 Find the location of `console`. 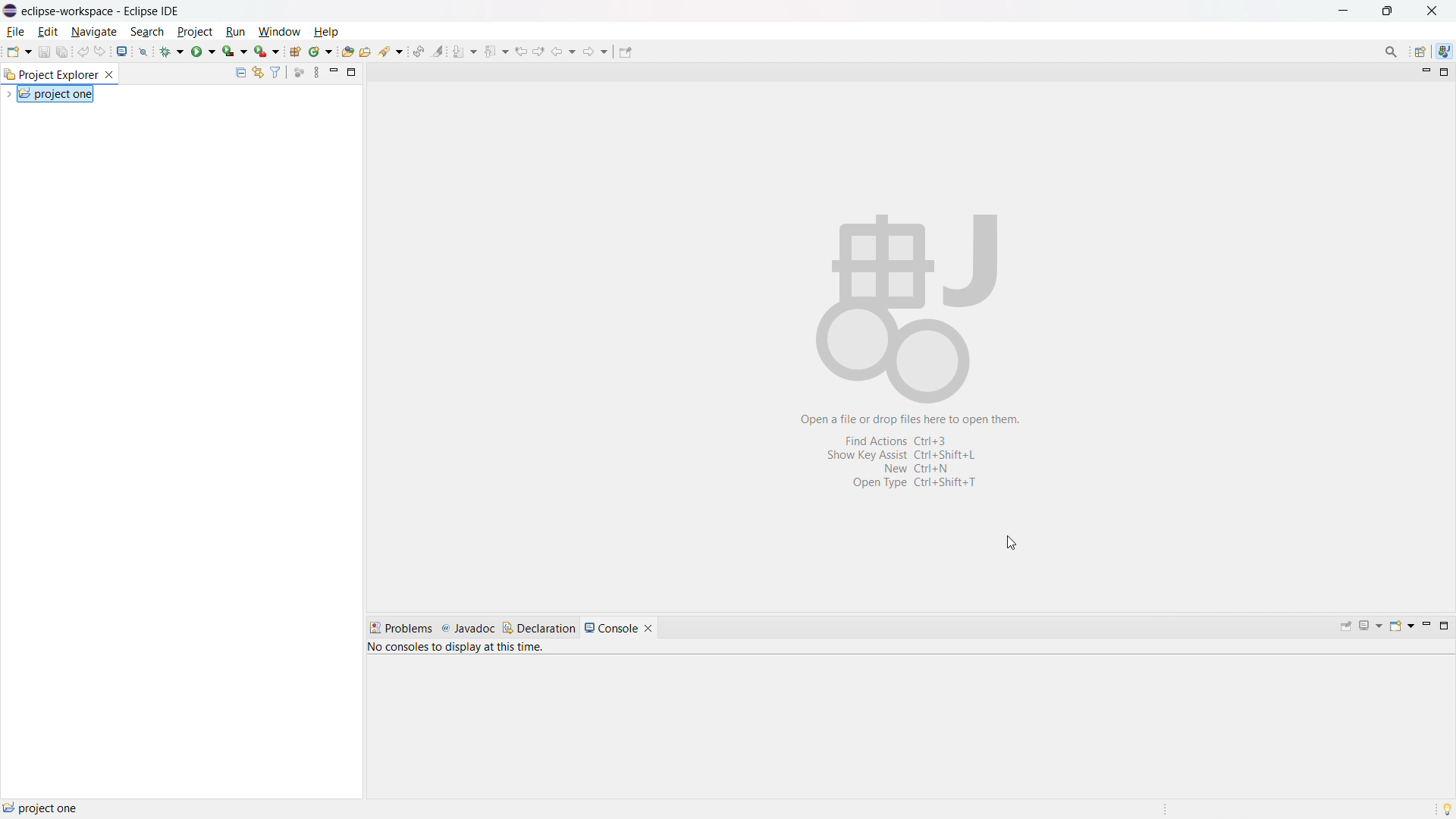

console is located at coordinates (611, 628).